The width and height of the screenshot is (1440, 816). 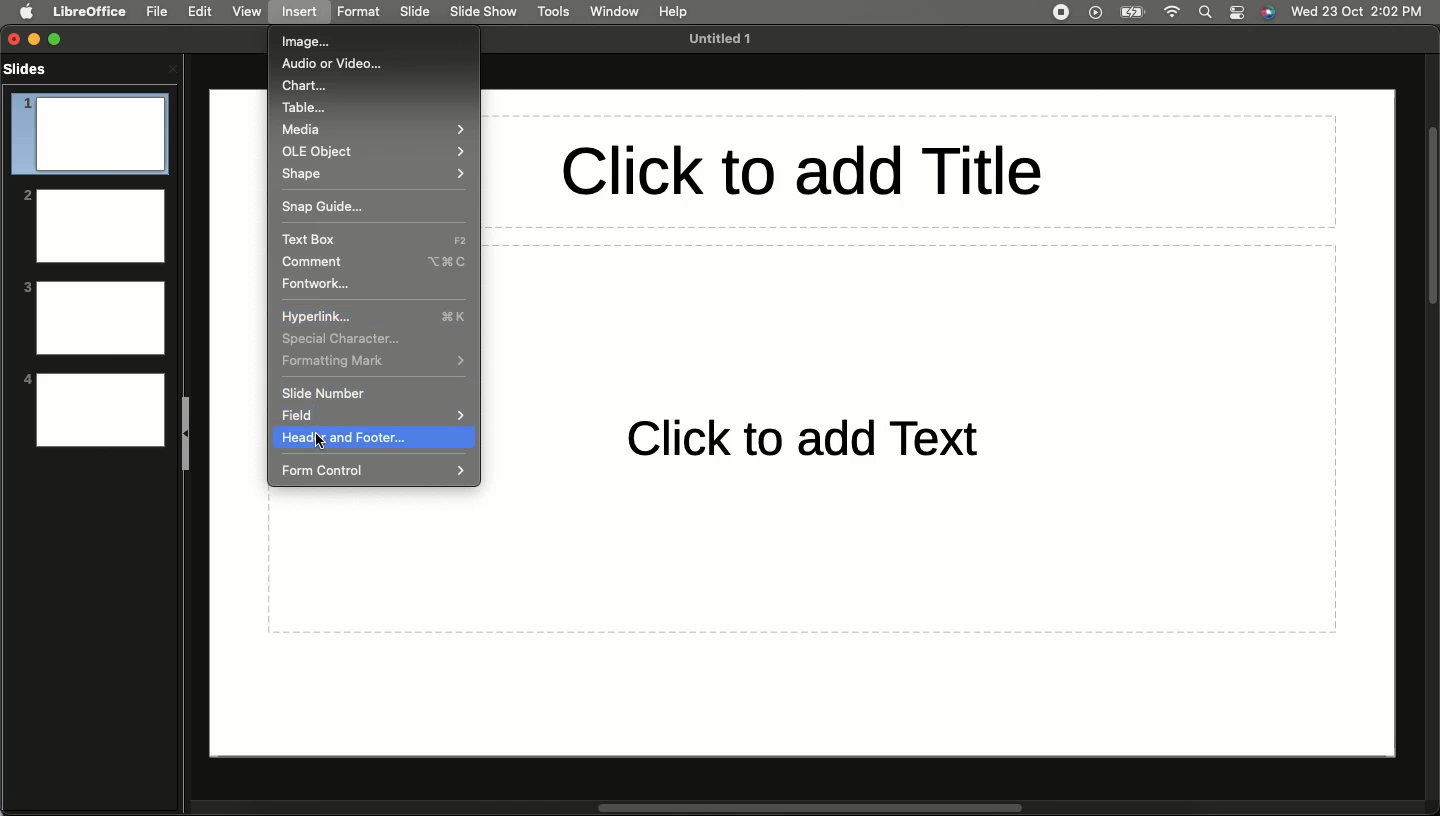 What do you see at coordinates (1431, 217) in the screenshot?
I see `Scroll` at bounding box center [1431, 217].